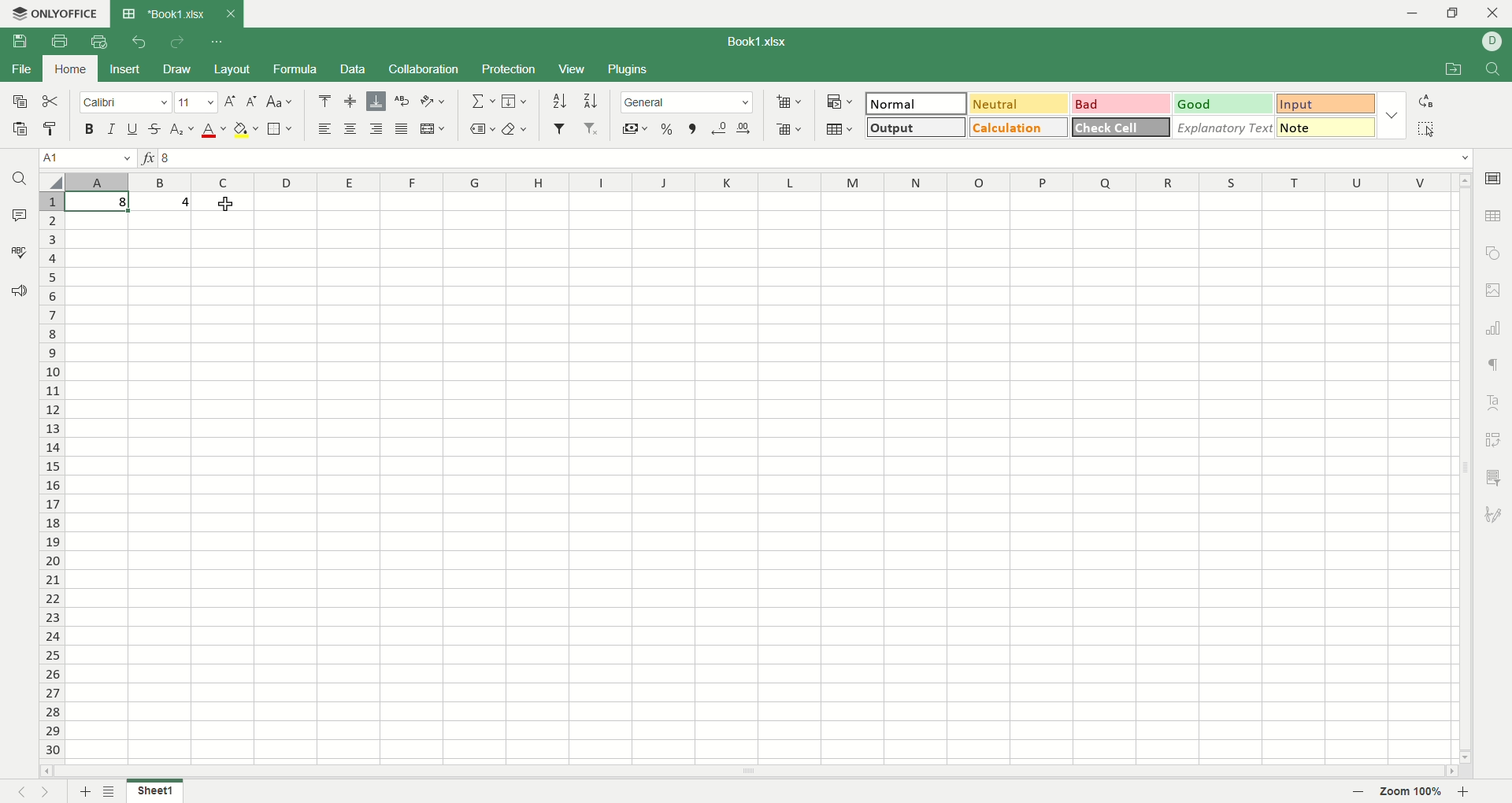 This screenshot has width=1512, height=803. What do you see at coordinates (111, 791) in the screenshot?
I see `sheet list` at bounding box center [111, 791].